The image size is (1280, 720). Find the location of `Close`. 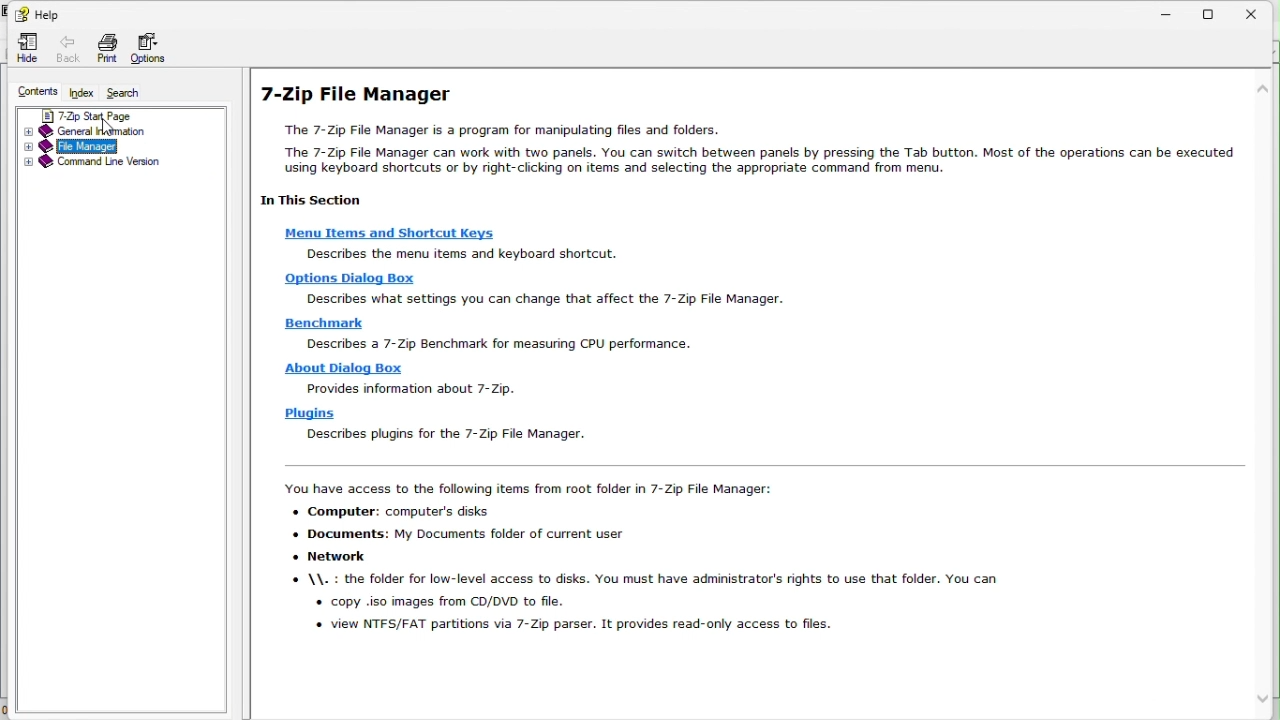

Close is located at coordinates (1261, 9).